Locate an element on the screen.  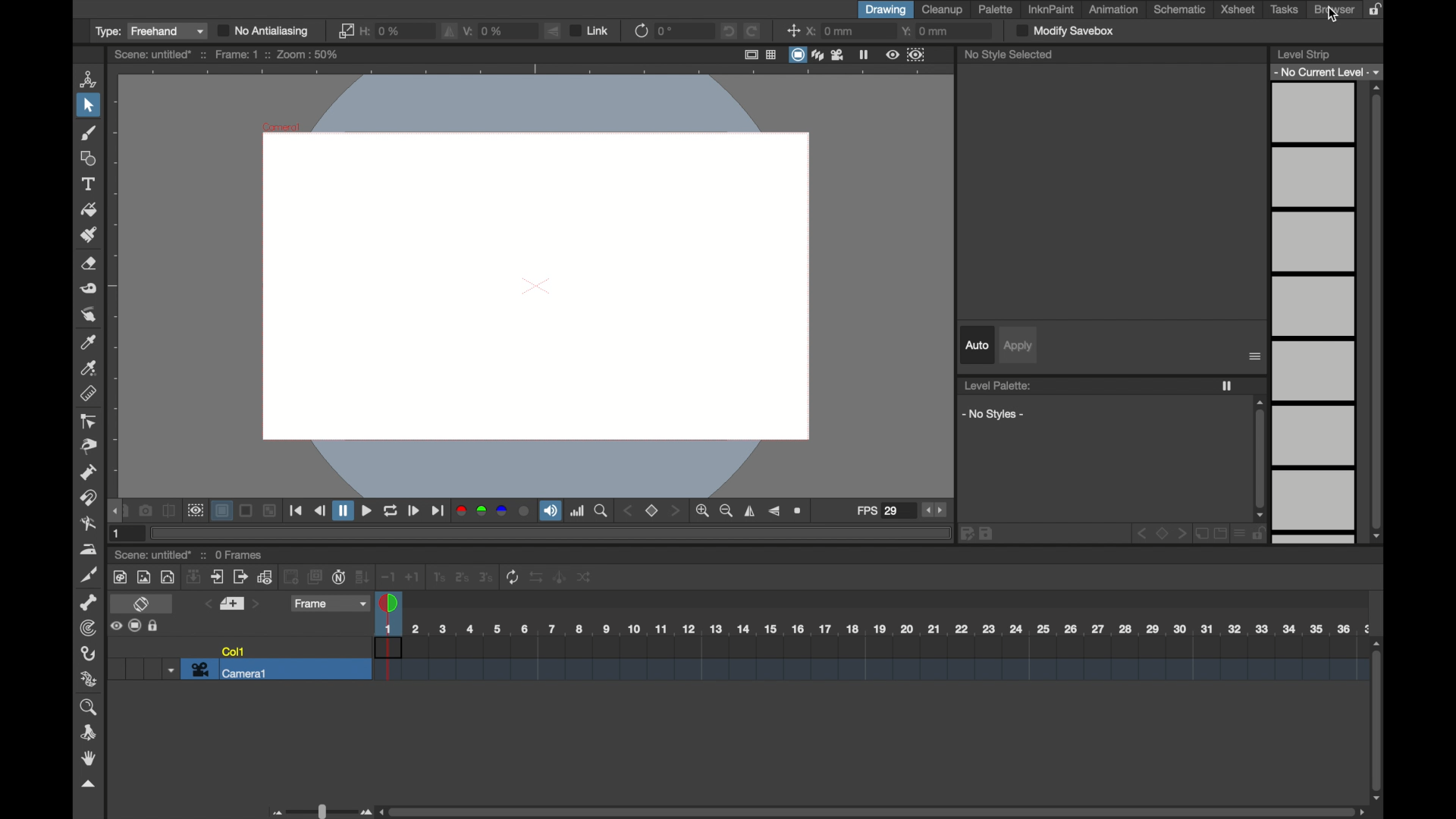
1 is located at coordinates (120, 534).